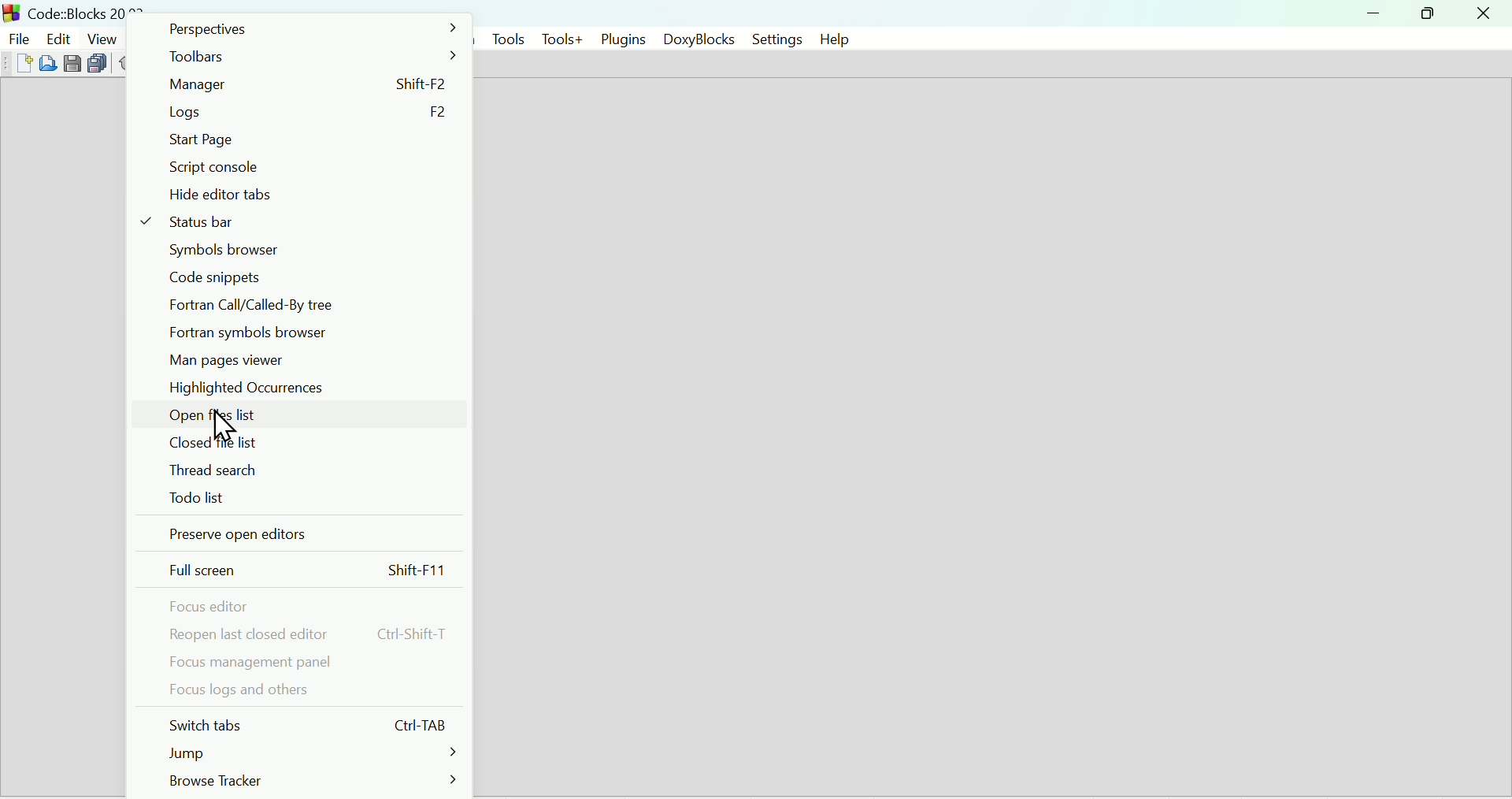 The image size is (1512, 799). I want to click on File, so click(17, 36).